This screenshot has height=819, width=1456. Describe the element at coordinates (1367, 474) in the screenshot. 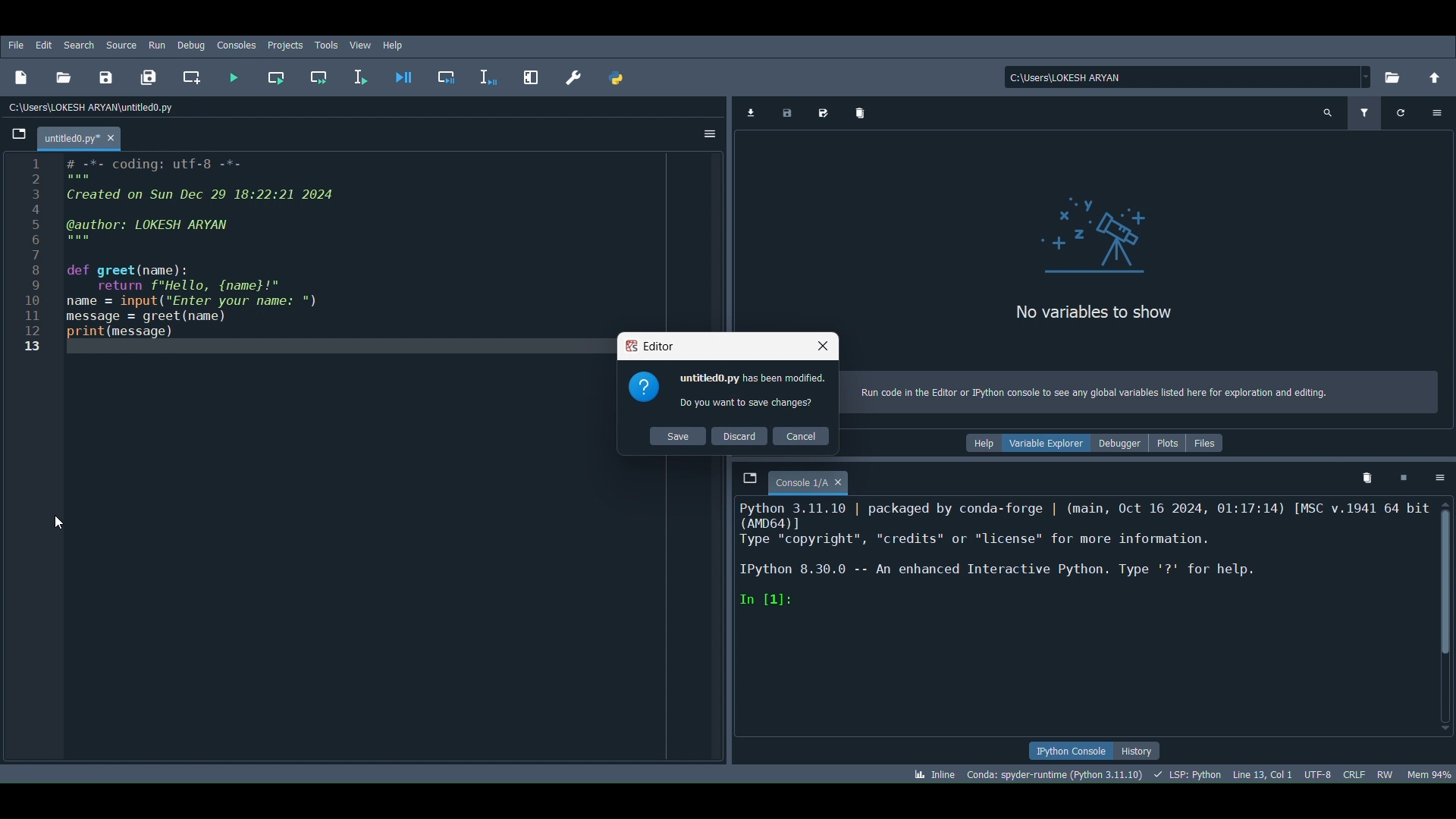

I see `Remove all variables from namespace` at that location.